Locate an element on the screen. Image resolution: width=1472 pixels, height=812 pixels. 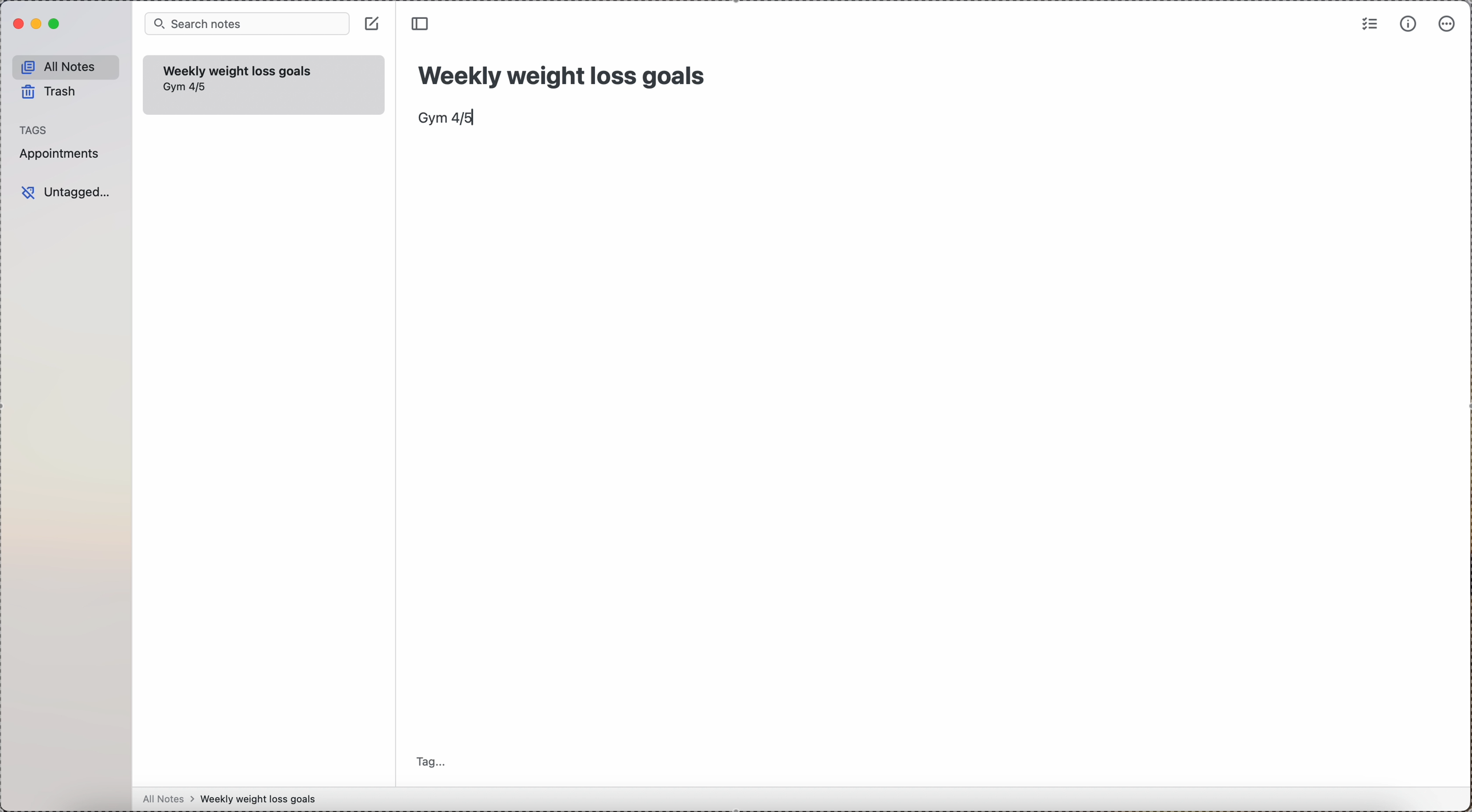
tags is located at coordinates (35, 130).